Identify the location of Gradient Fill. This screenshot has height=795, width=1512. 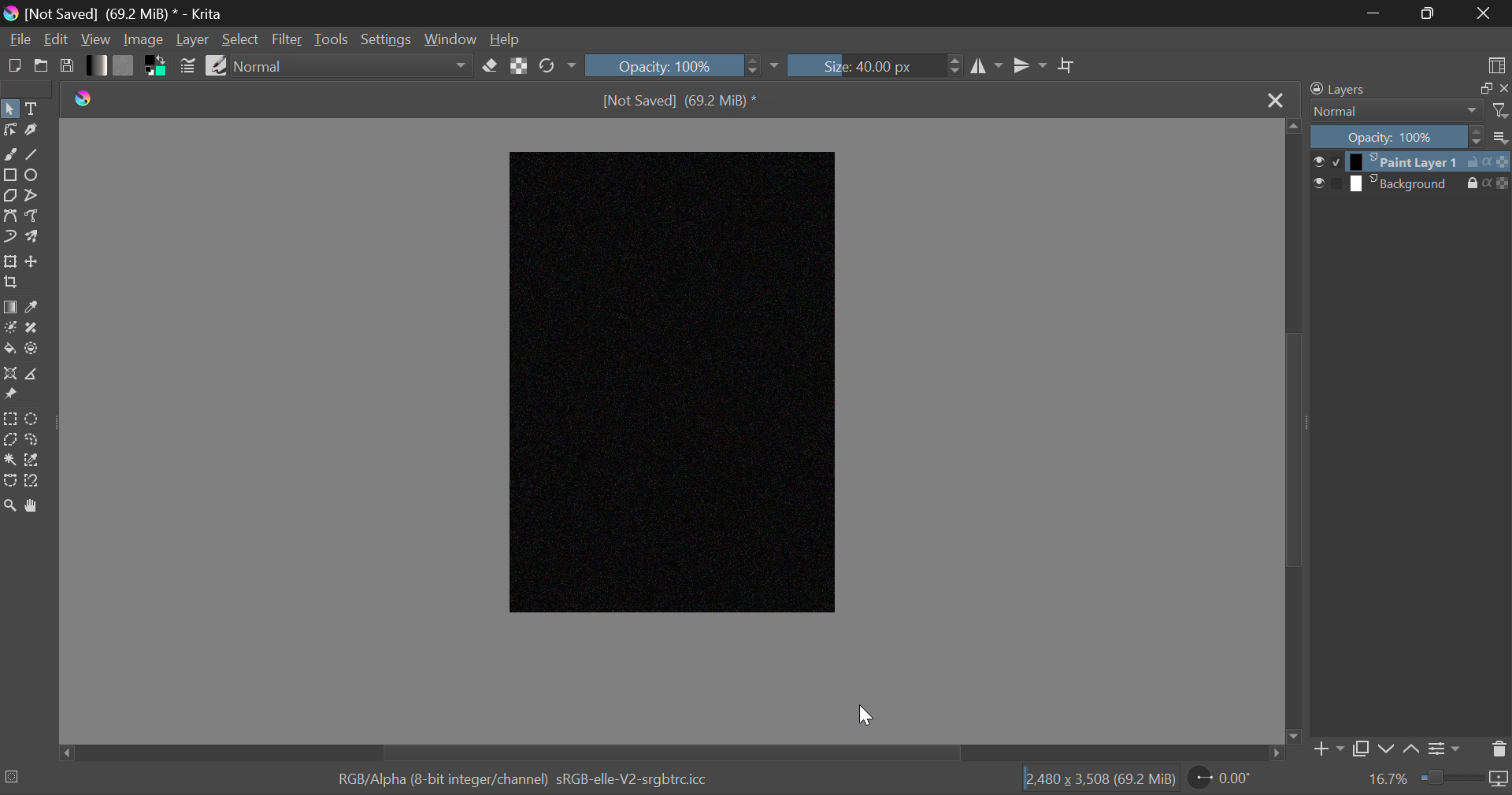
(9, 307).